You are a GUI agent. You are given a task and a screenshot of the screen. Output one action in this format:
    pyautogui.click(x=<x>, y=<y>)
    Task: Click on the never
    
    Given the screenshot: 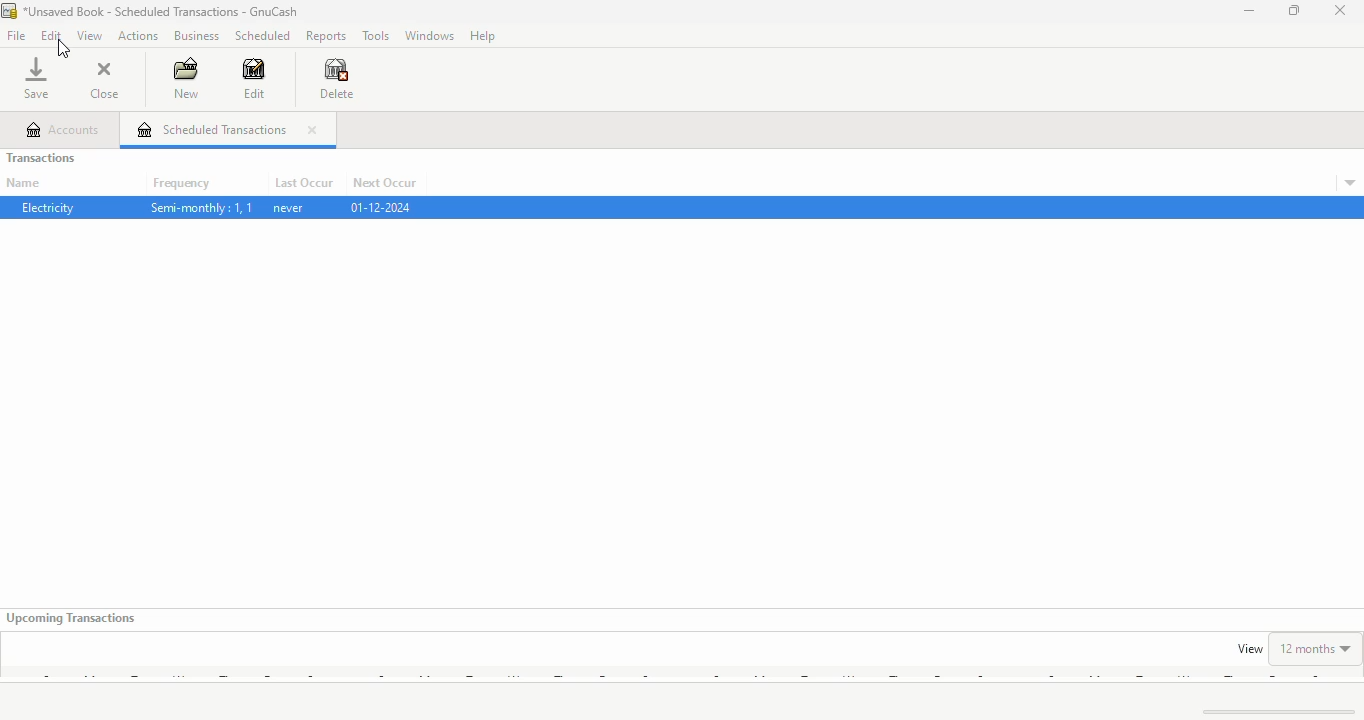 What is the action you would take?
    pyautogui.click(x=288, y=208)
    